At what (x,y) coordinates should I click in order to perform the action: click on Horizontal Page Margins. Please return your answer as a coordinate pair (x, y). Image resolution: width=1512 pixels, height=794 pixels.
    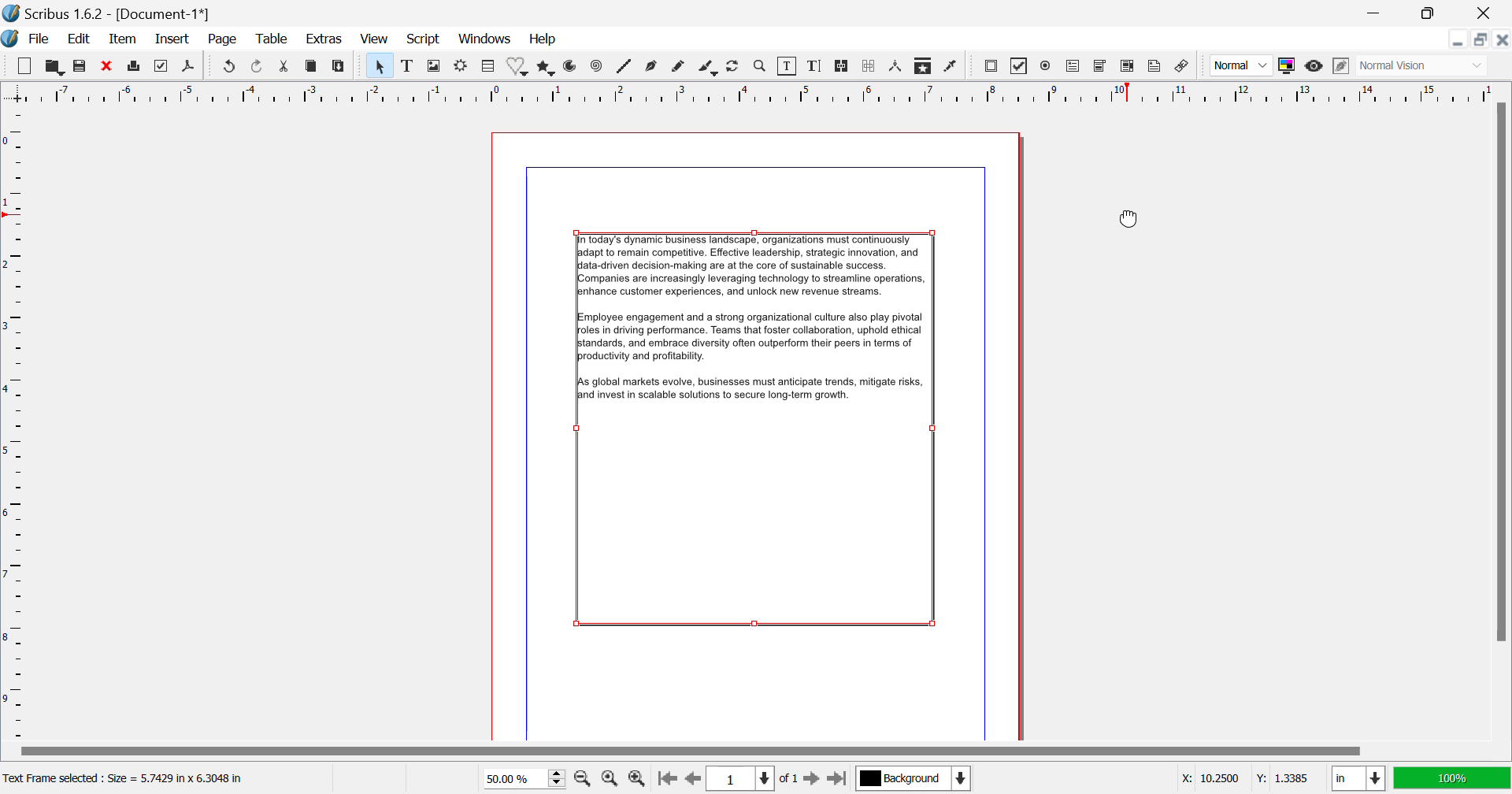
    Looking at the image, I should click on (17, 425).